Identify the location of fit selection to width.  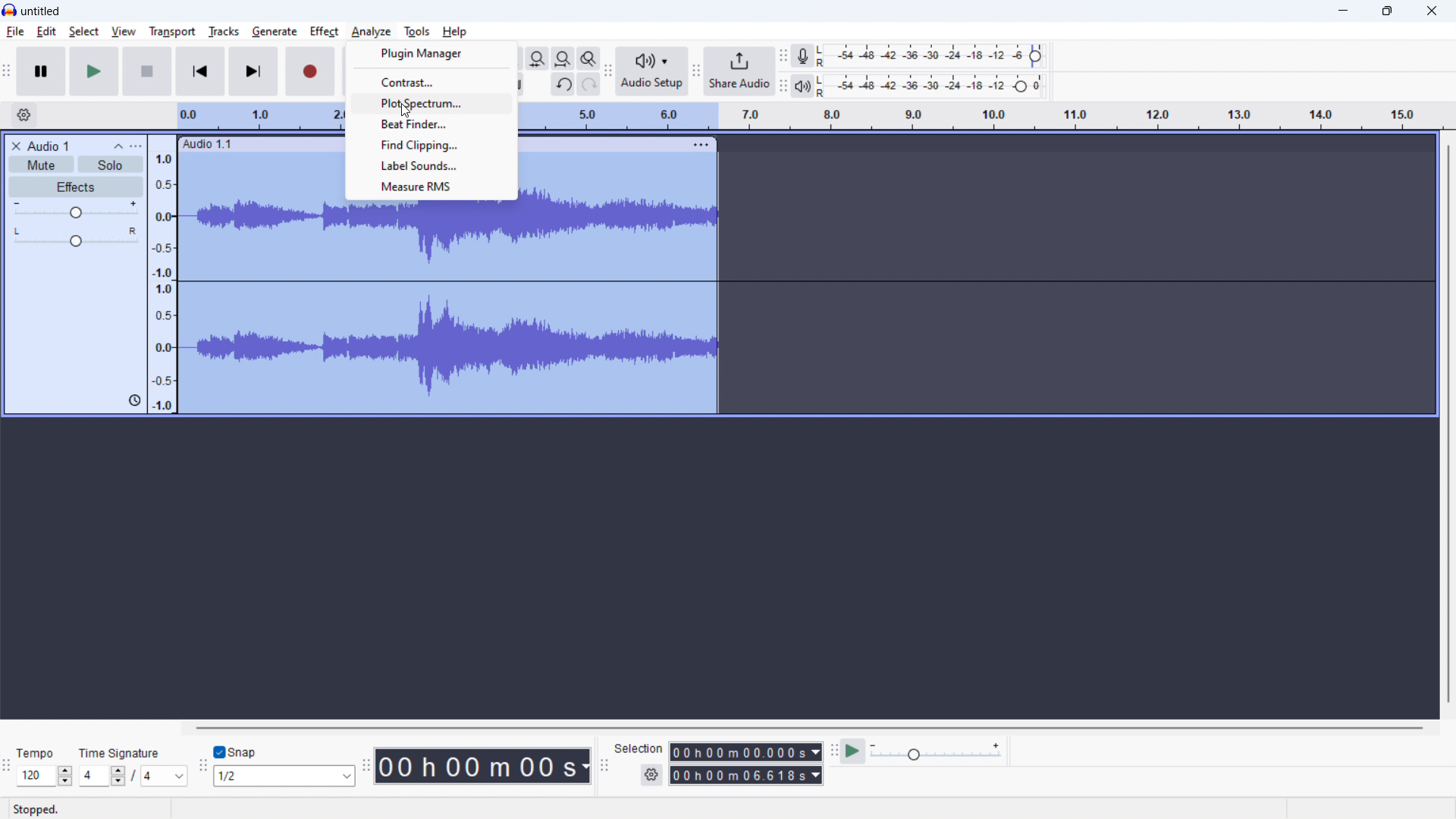
(538, 58).